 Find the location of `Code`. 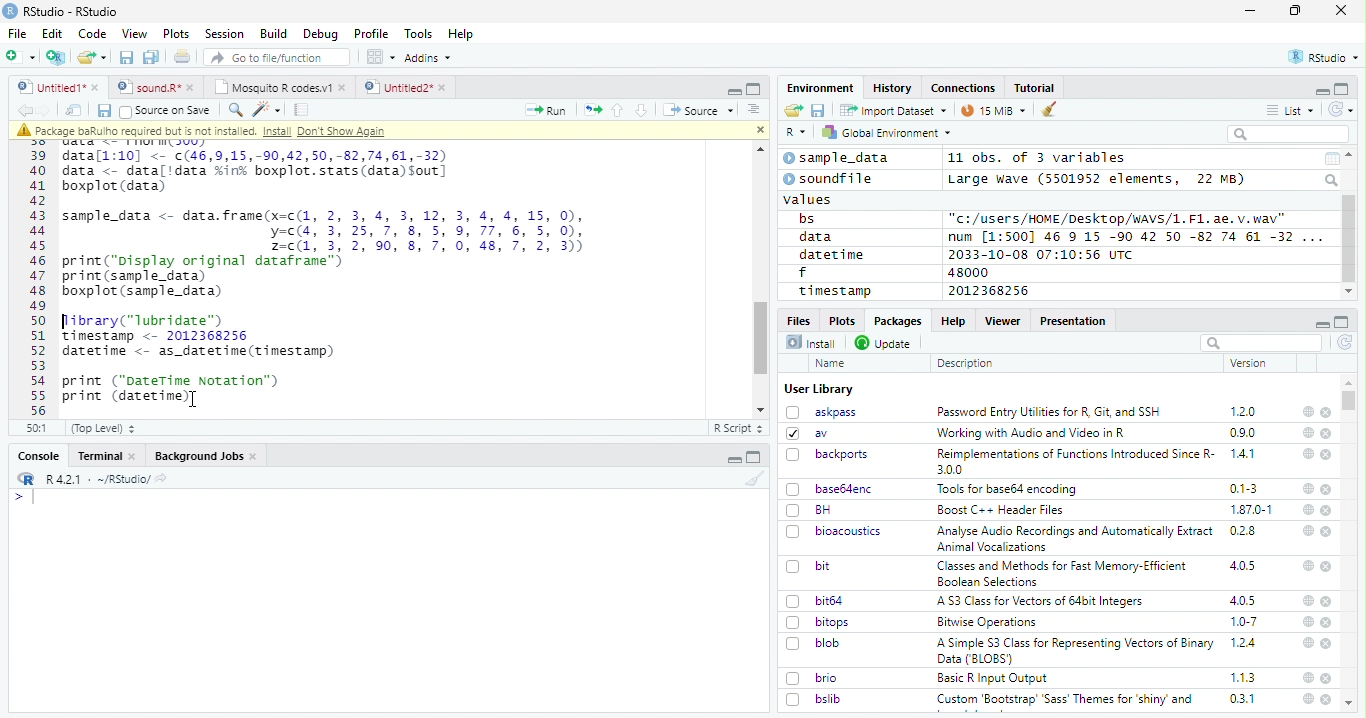

Code is located at coordinates (91, 34).